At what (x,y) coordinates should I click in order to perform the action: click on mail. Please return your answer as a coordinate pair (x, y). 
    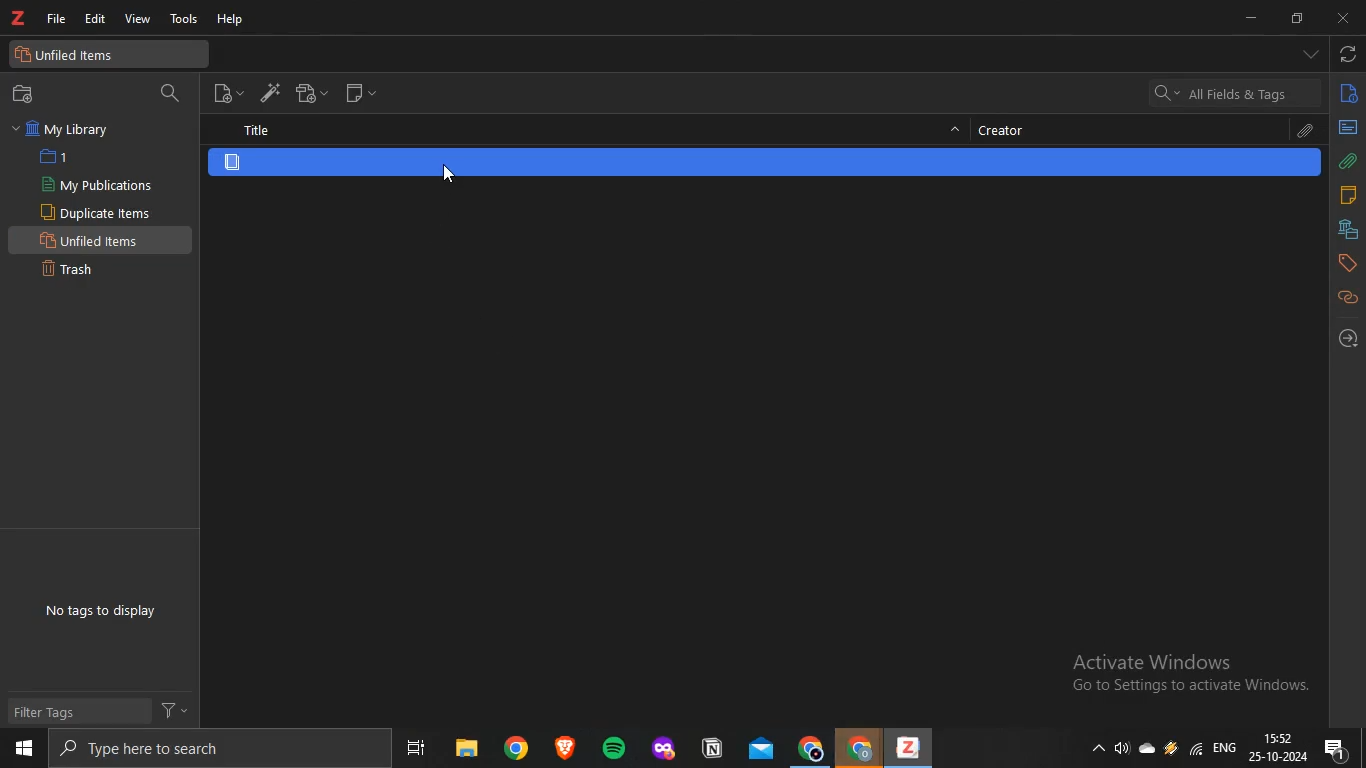
    Looking at the image, I should click on (763, 748).